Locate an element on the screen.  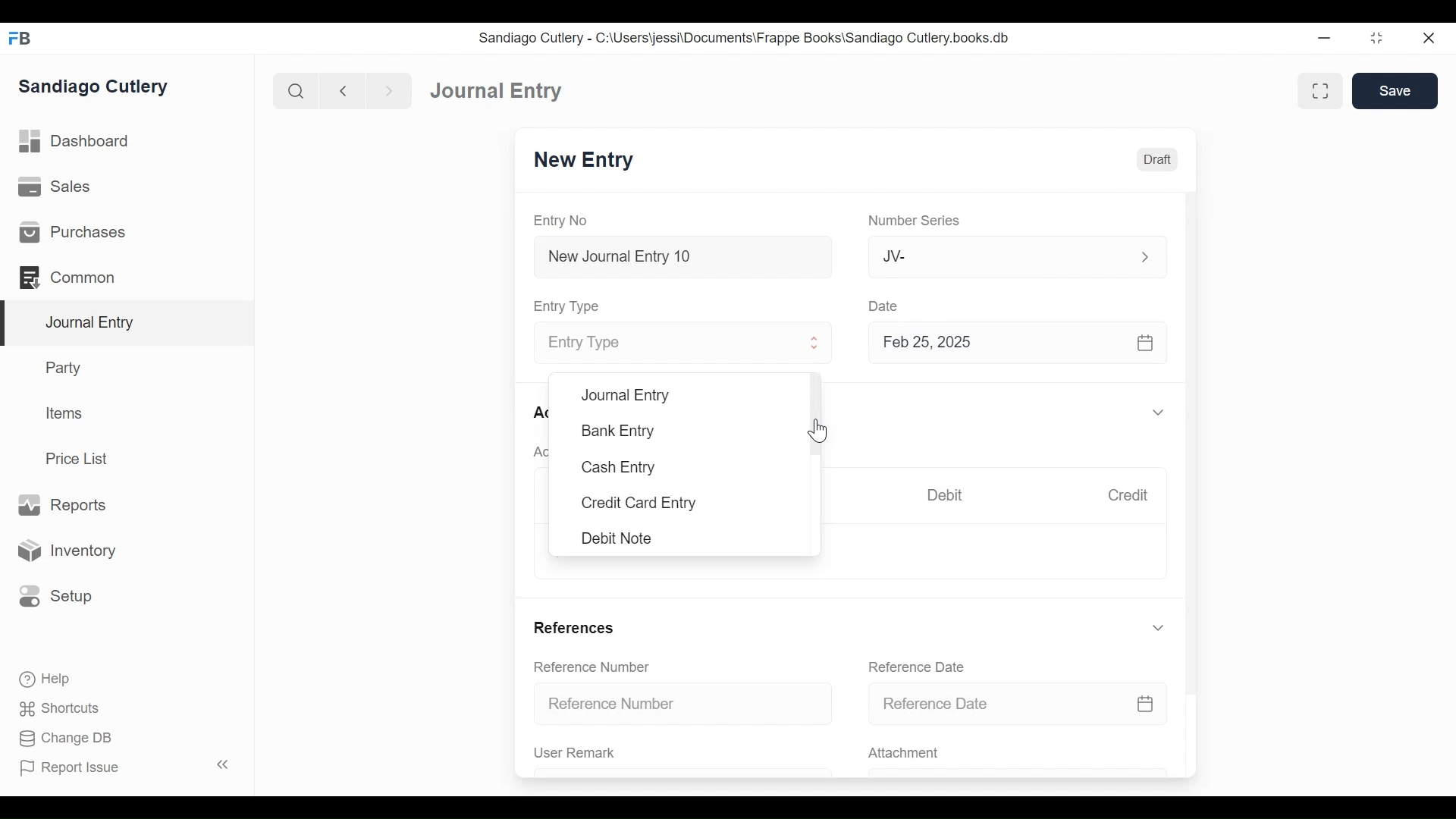
Entry Type is located at coordinates (665, 344).